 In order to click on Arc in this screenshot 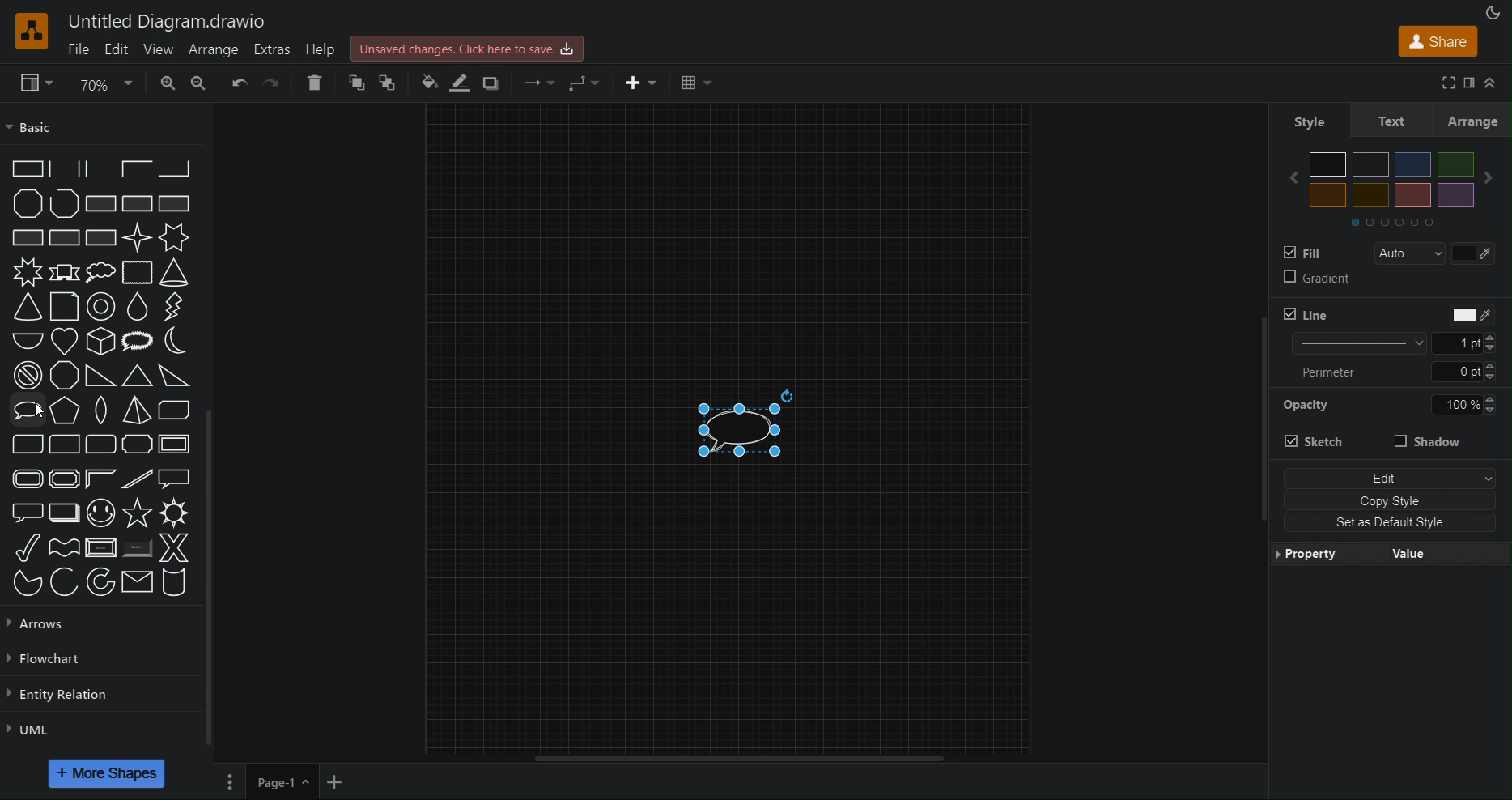, I will do `click(63, 582)`.